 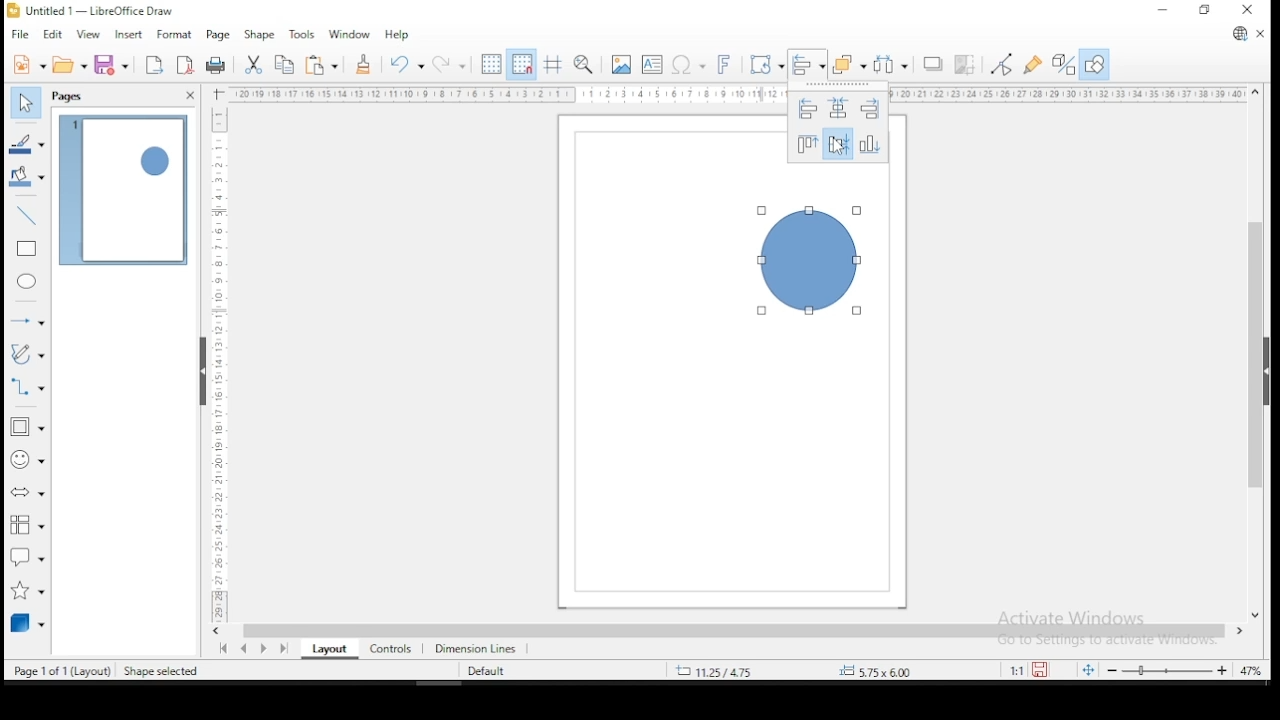 What do you see at coordinates (28, 64) in the screenshot?
I see `new` at bounding box center [28, 64].